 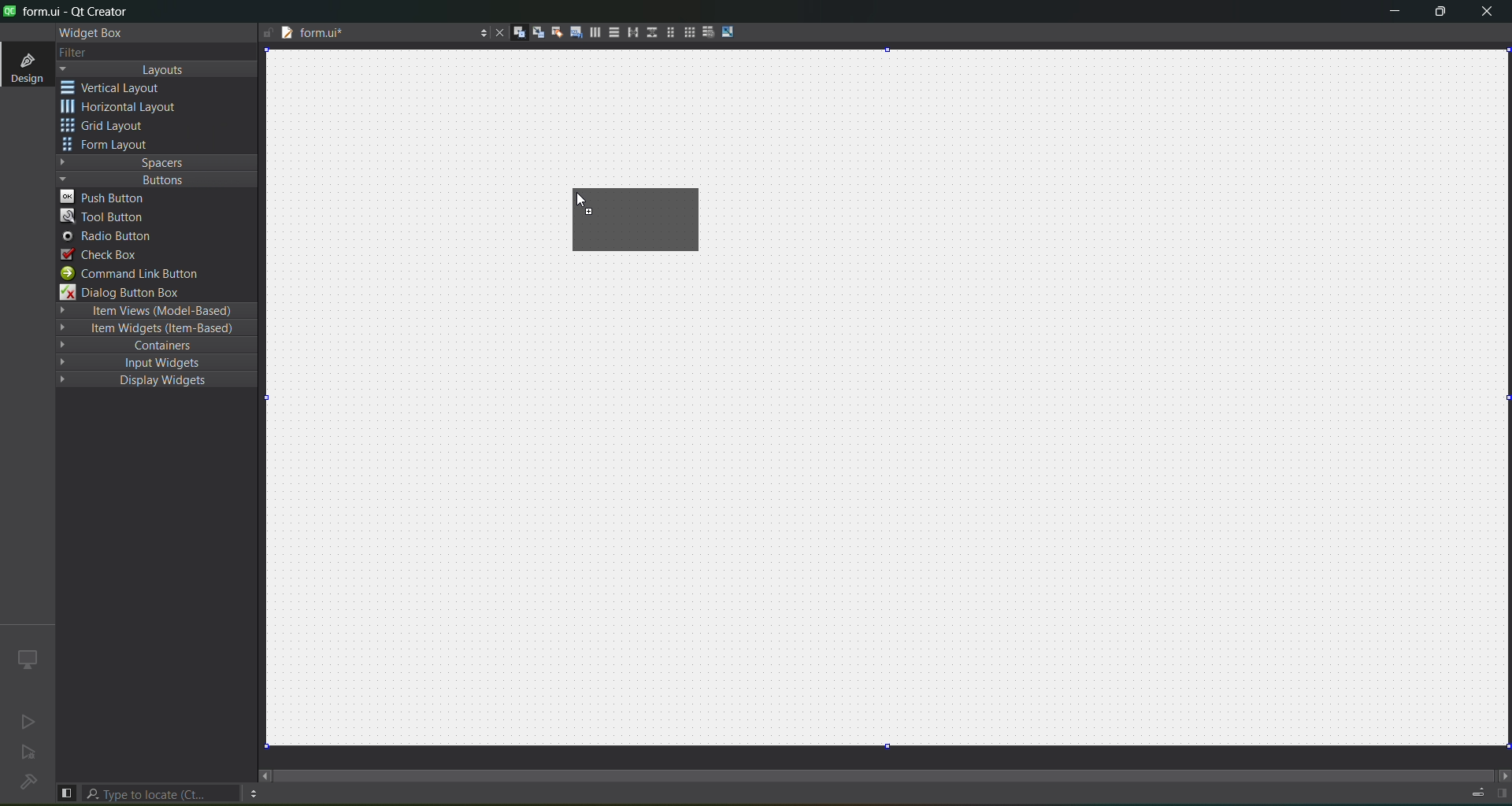 What do you see at coordinates (162, 793) in the screenshot?
I see `search` at bounding box center [162, 793].